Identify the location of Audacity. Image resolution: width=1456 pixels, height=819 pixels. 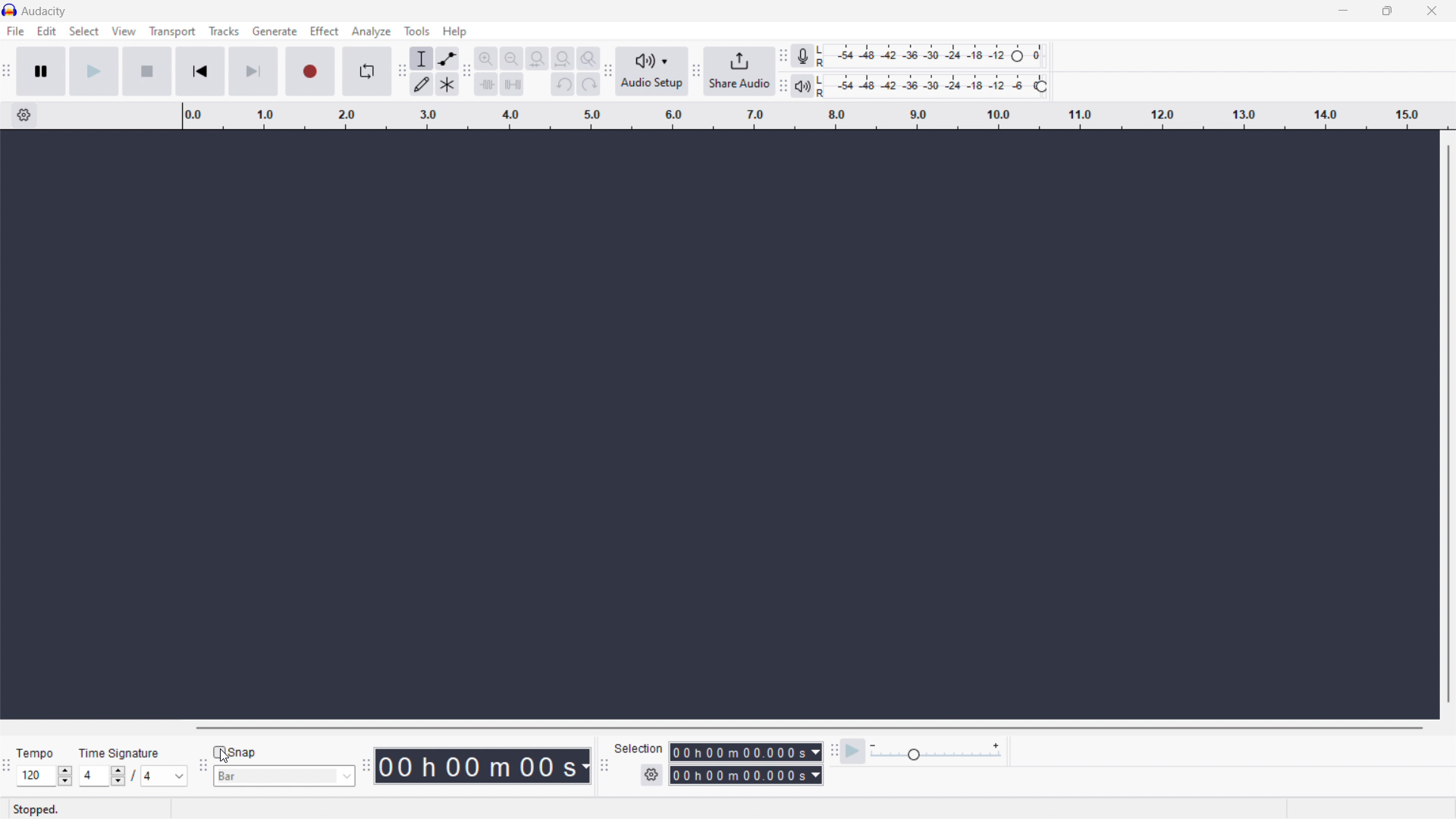
(45, 11).